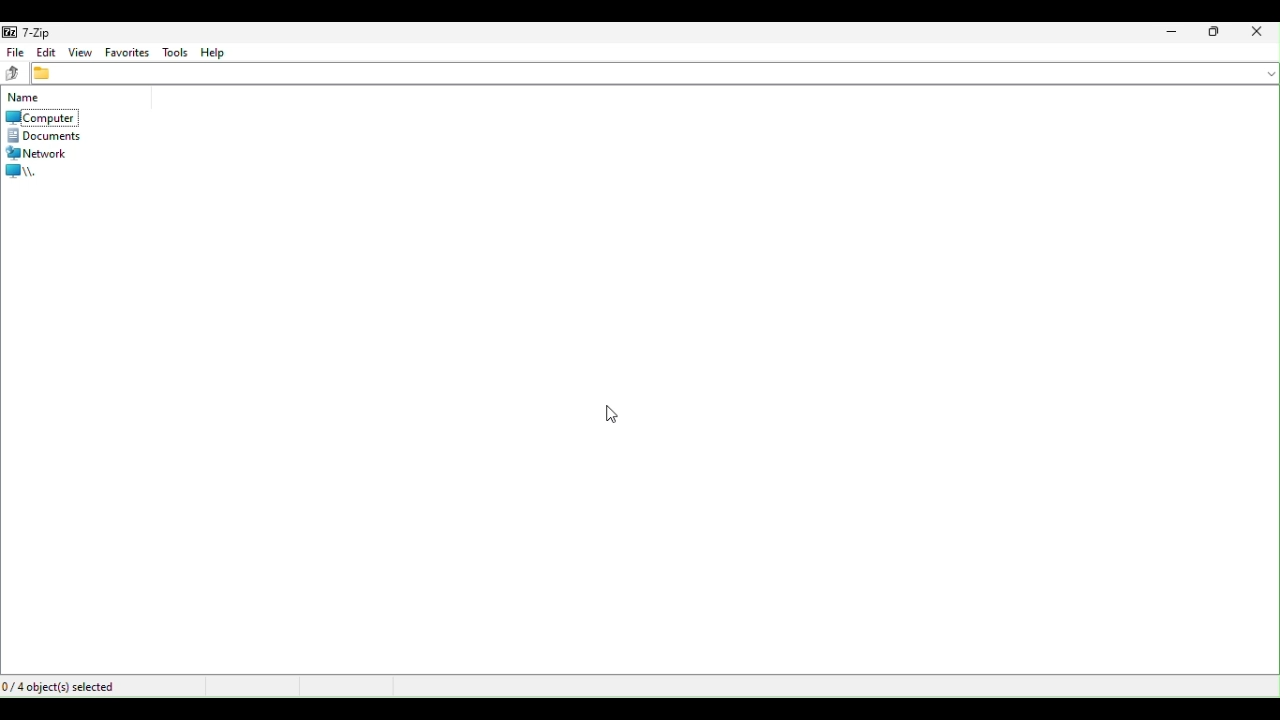 The height and width of the screenshot is (720, 1280). I want to click on  tools, so click(177, 52).